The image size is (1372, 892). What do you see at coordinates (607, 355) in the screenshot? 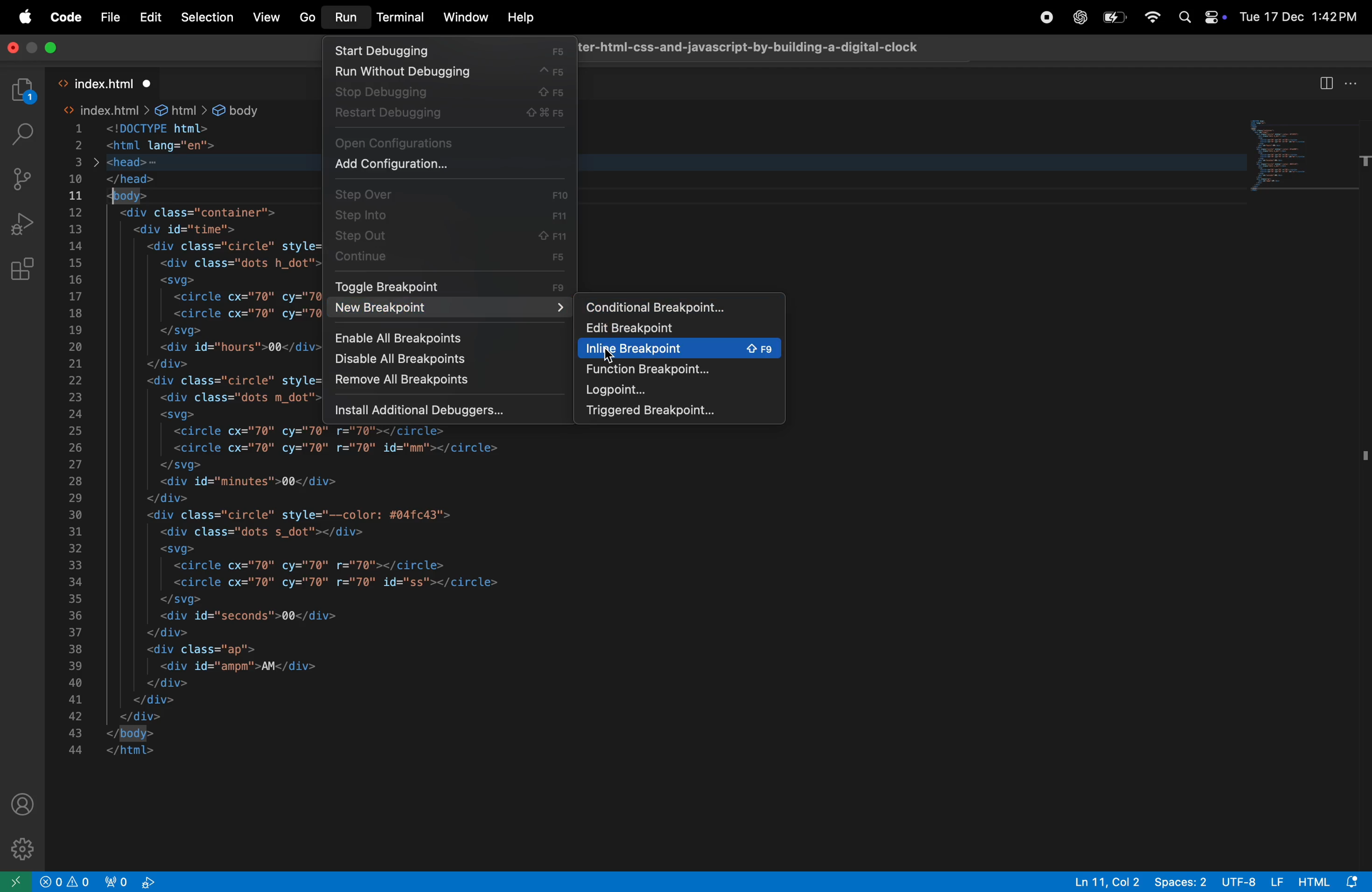
I see `cursor` at bounding box center [607, 355].